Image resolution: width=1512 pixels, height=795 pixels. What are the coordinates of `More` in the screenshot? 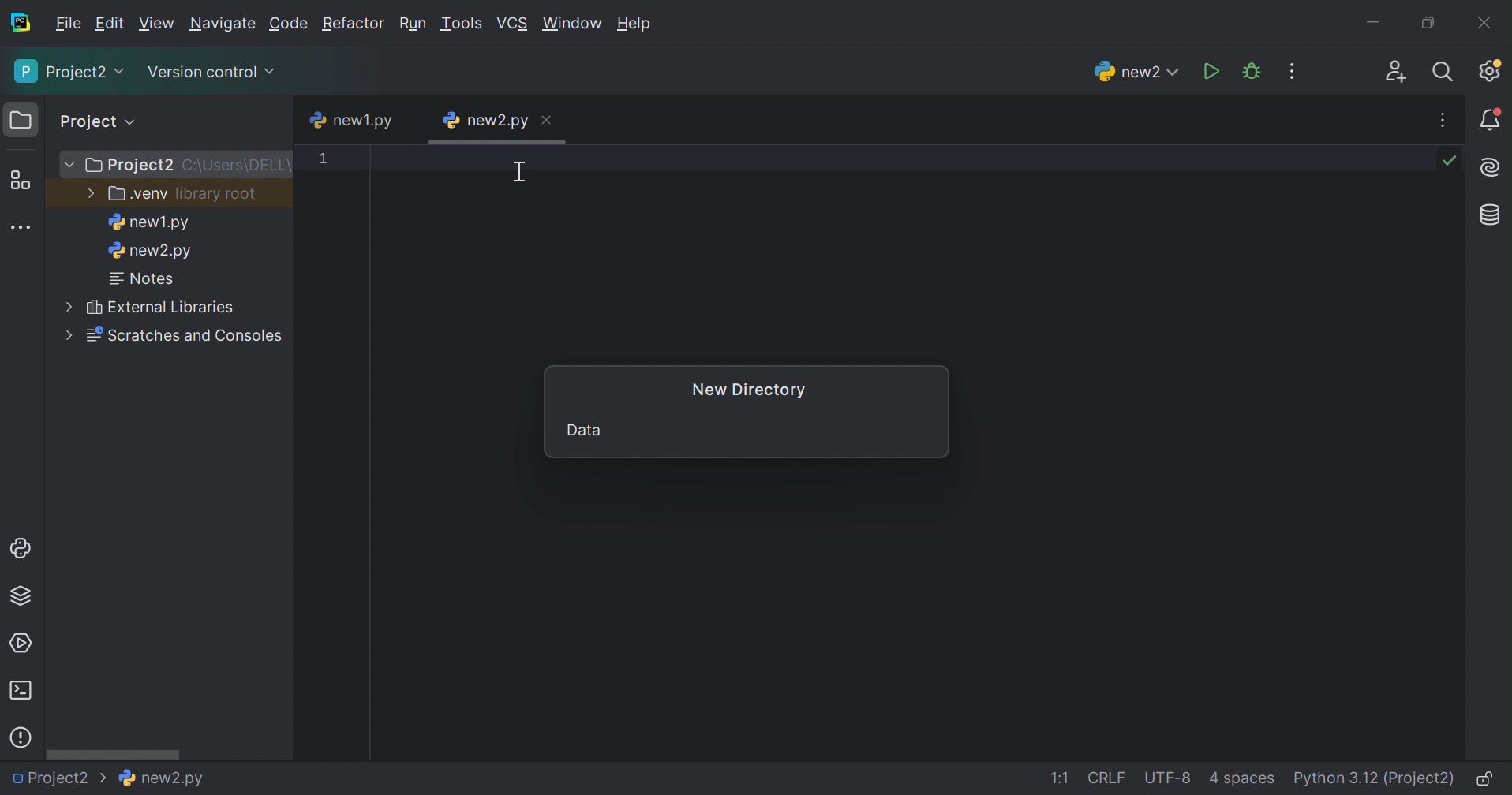 It's located at (71, 166).